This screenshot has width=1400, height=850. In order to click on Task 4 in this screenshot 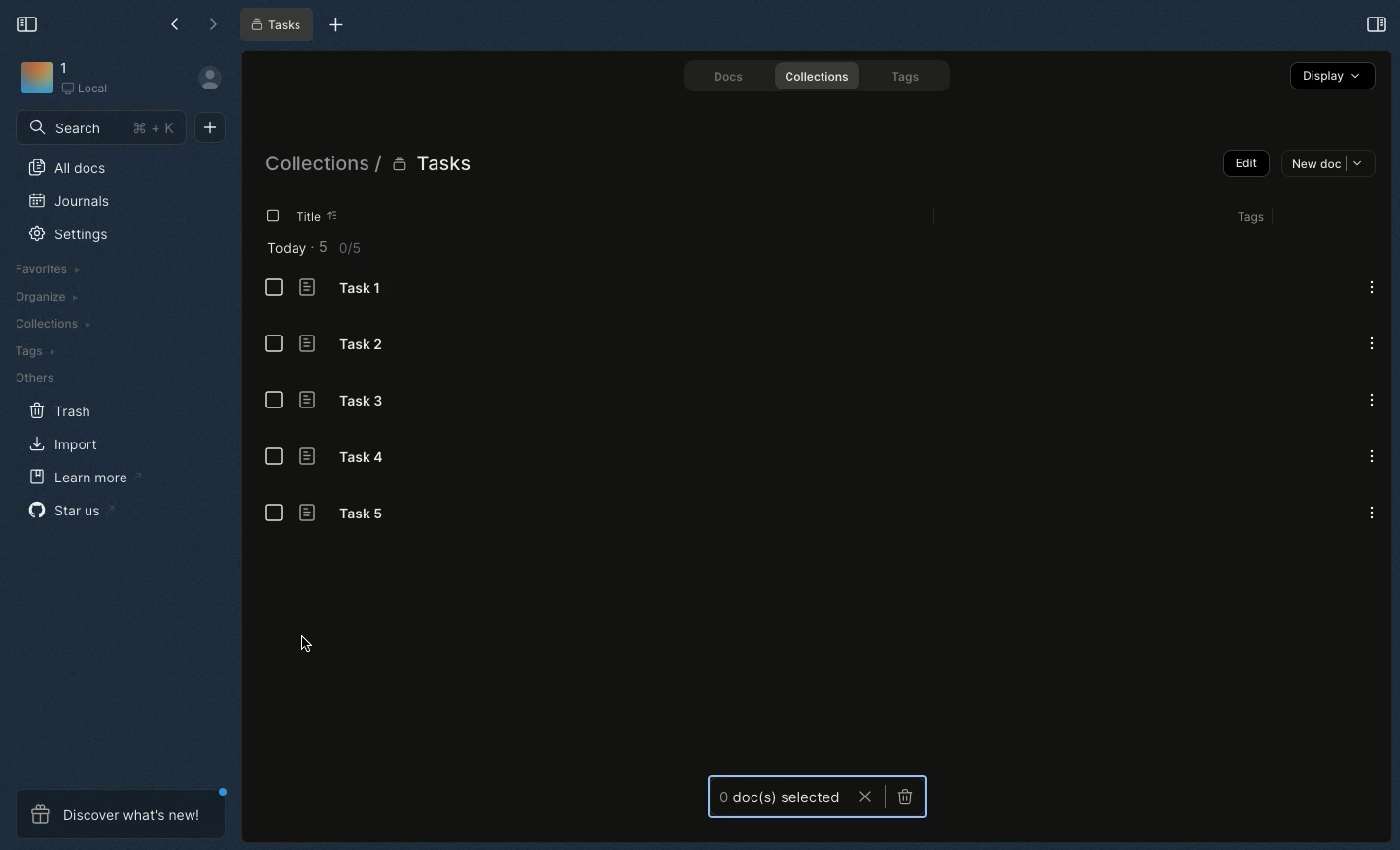, I will do `click(347, 458)`.